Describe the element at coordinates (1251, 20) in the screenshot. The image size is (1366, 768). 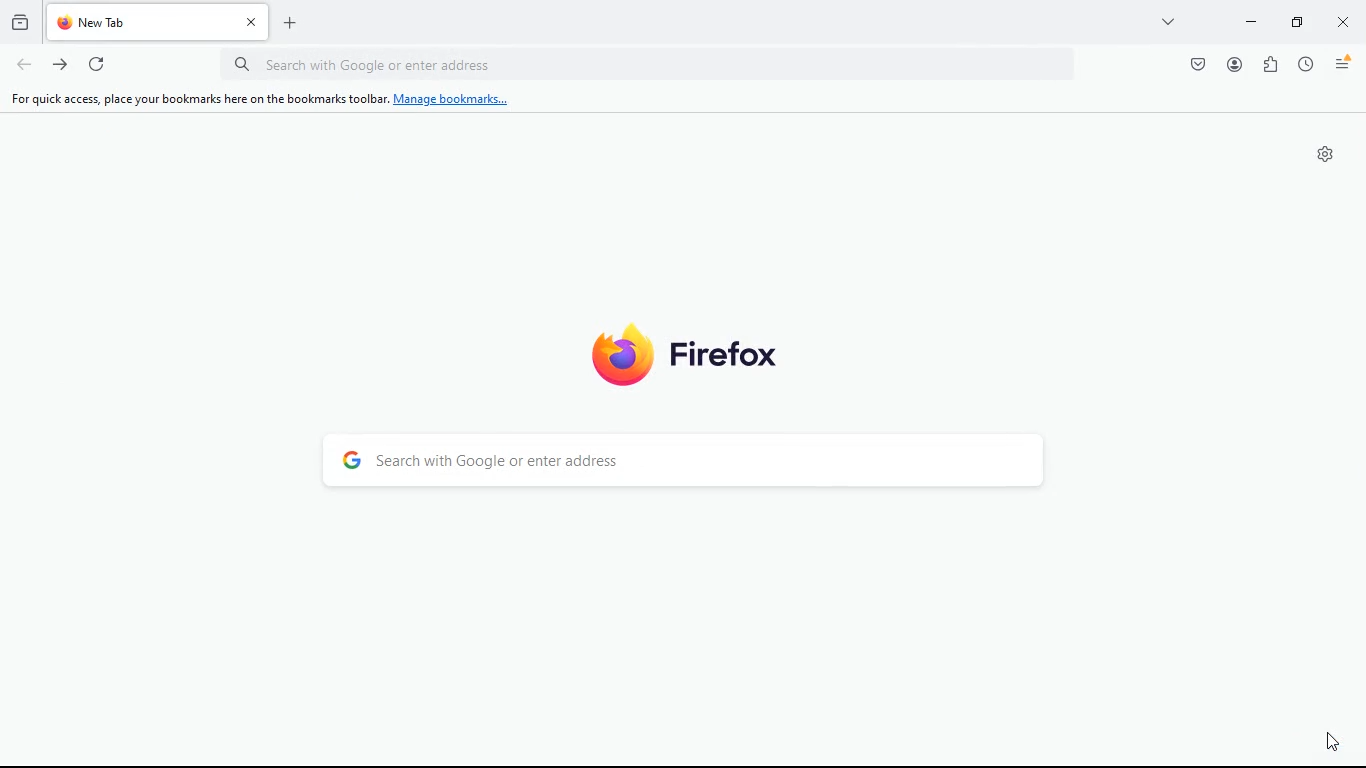
I see `minimize` at that location.